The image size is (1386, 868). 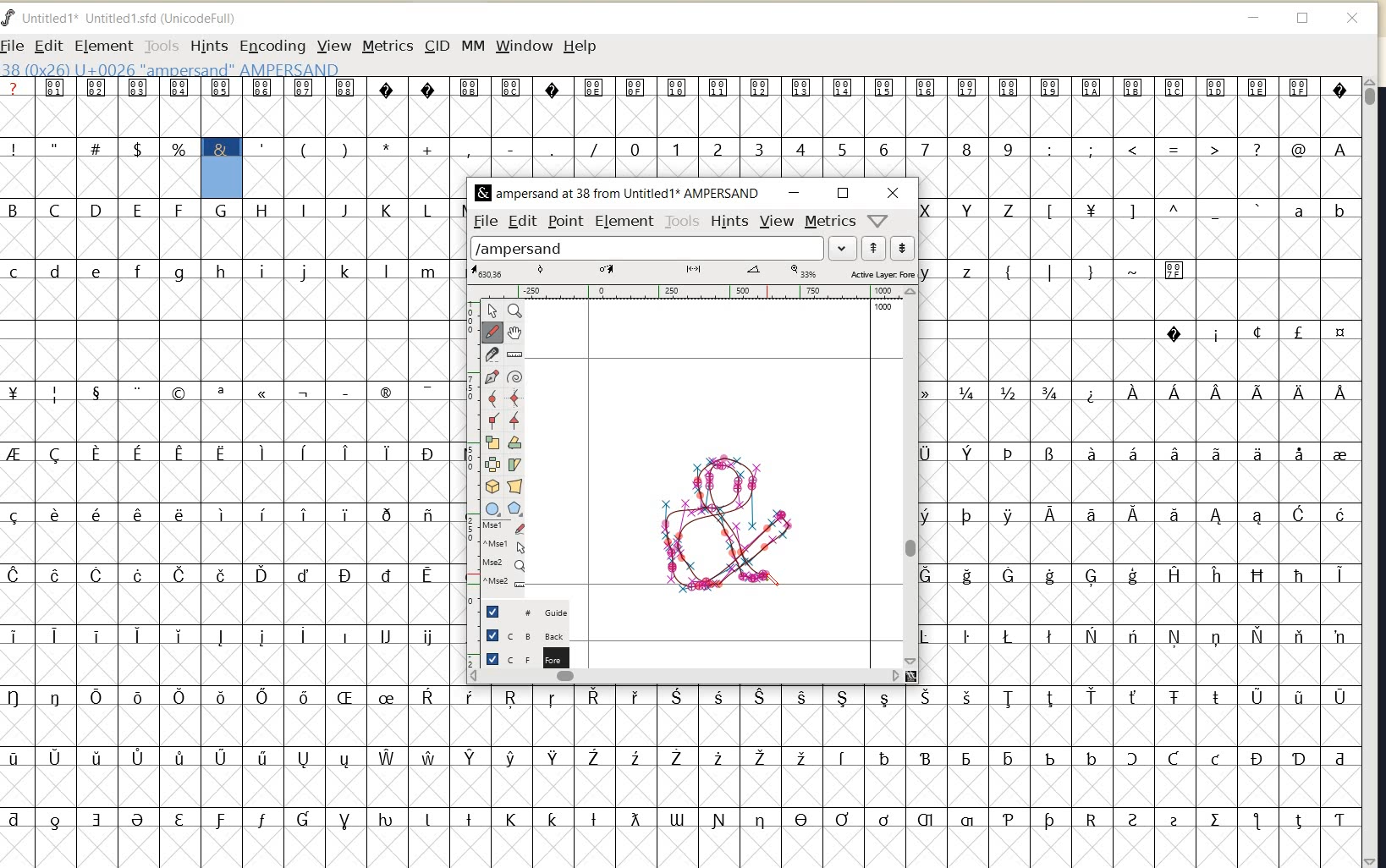 I want to click on glyph selected, so click(x=223, y=168).